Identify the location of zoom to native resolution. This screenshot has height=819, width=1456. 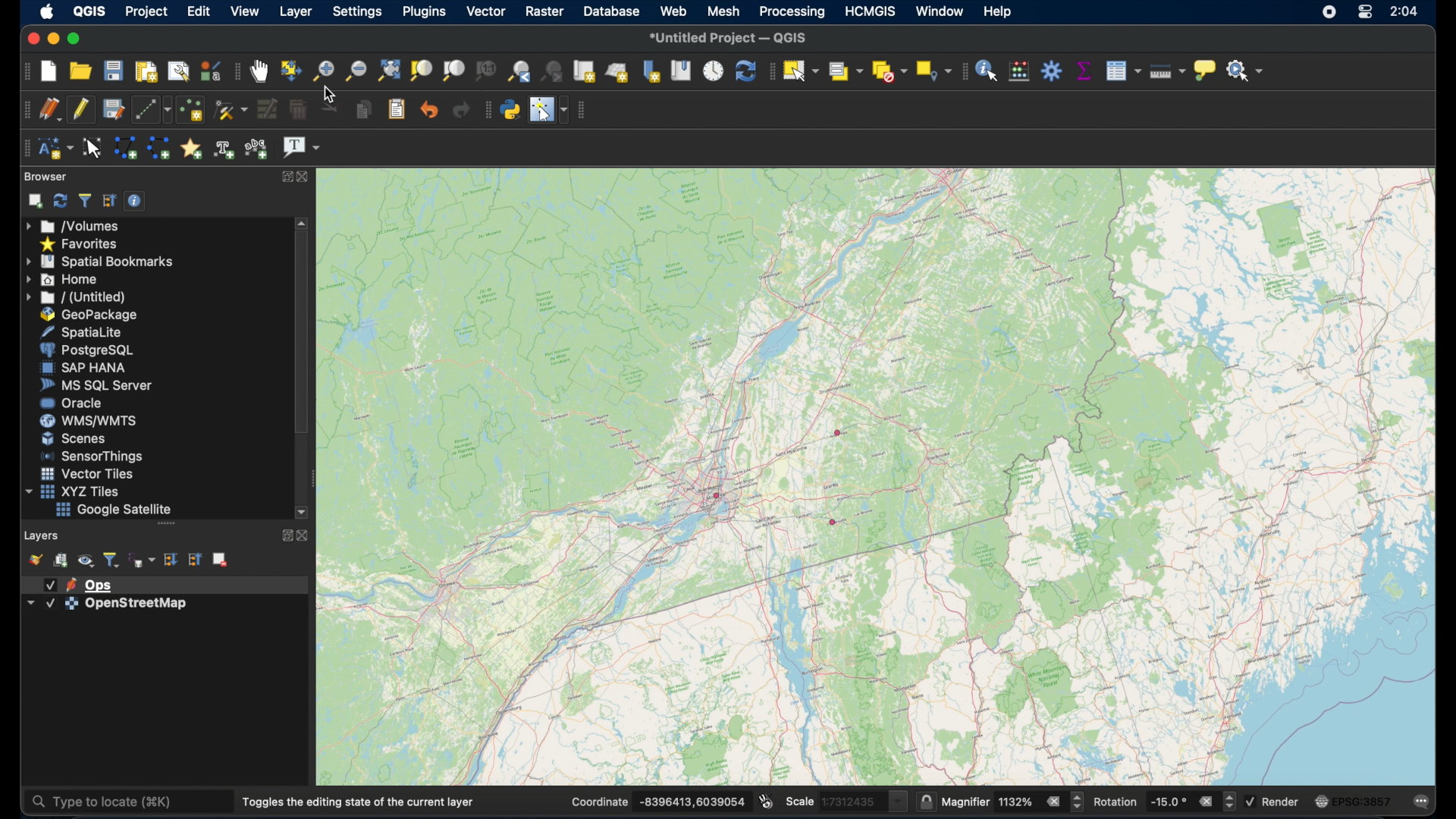
(485, 71).